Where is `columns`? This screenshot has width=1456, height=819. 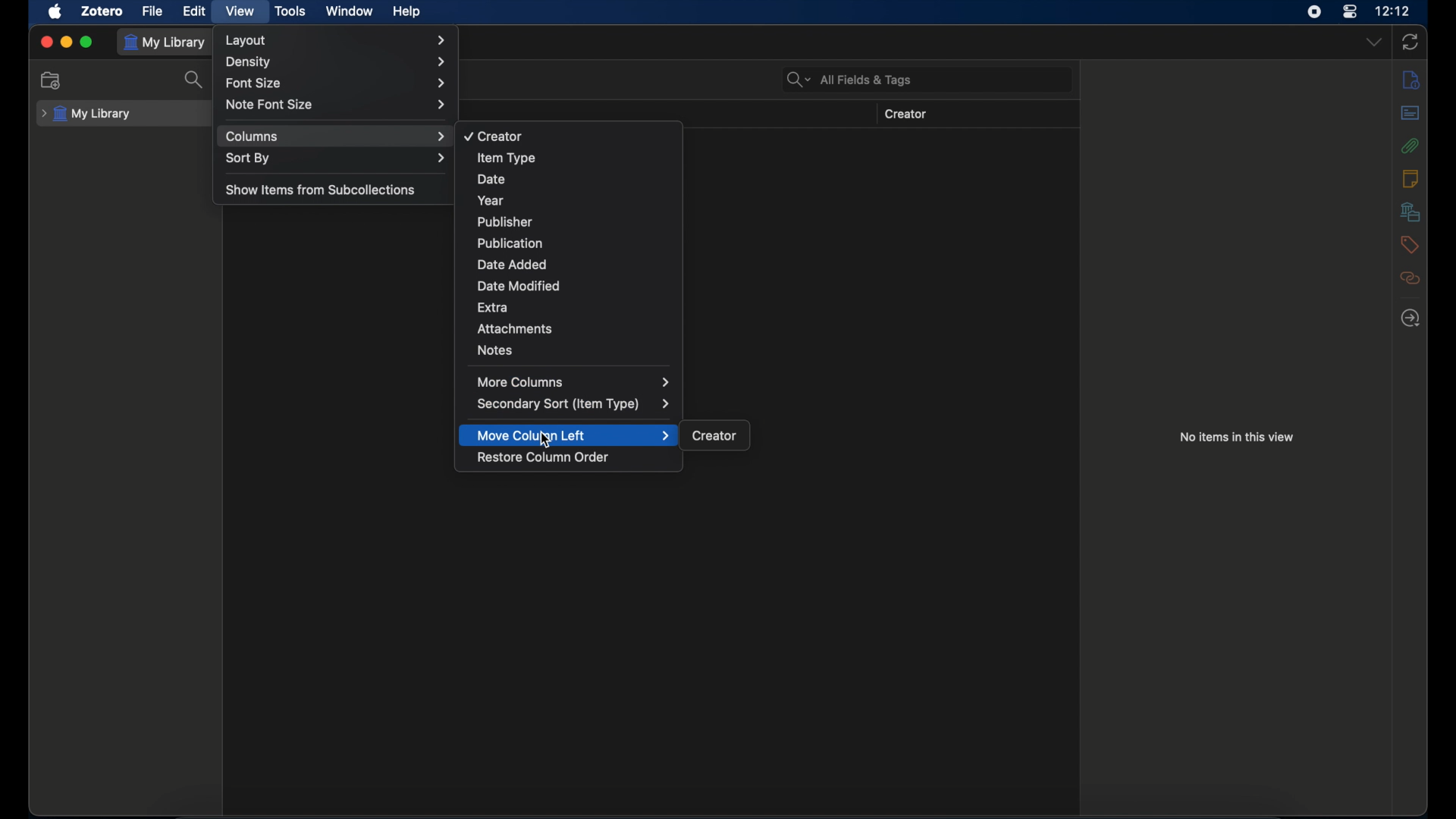
columns is located at coordinates (336, 136).